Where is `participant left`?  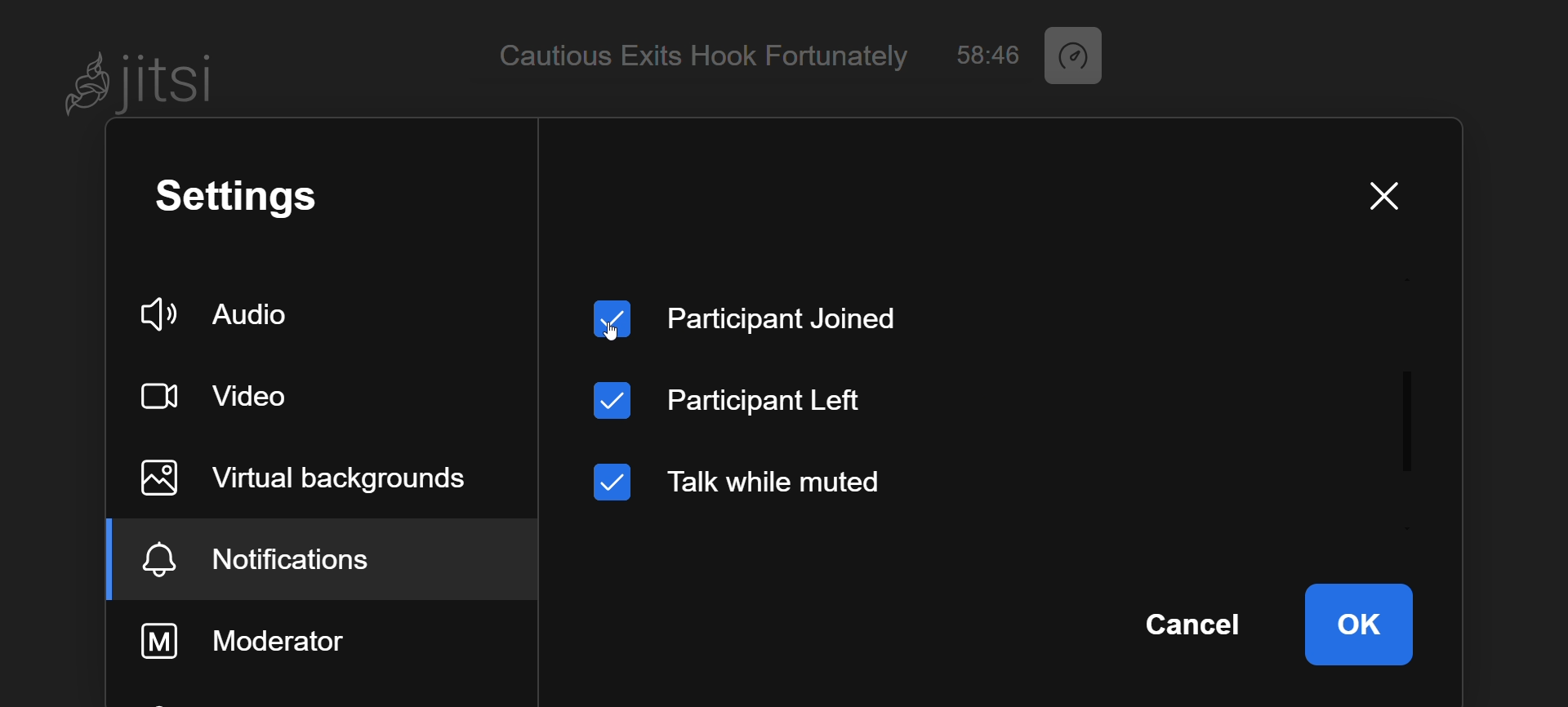 participant left is located at coordinates (735, 398).